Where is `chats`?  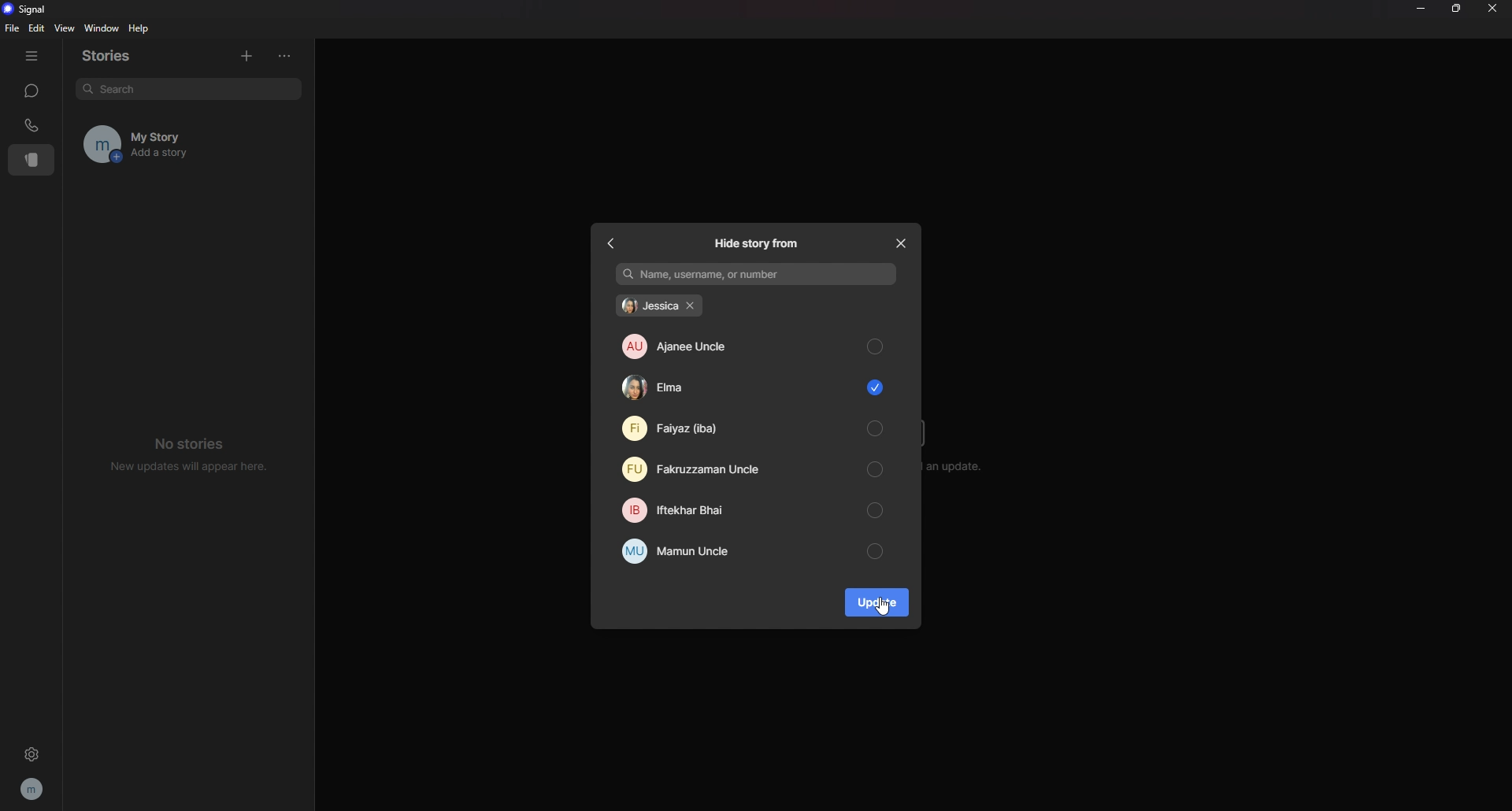
chats is located at coordinates (31, 91).